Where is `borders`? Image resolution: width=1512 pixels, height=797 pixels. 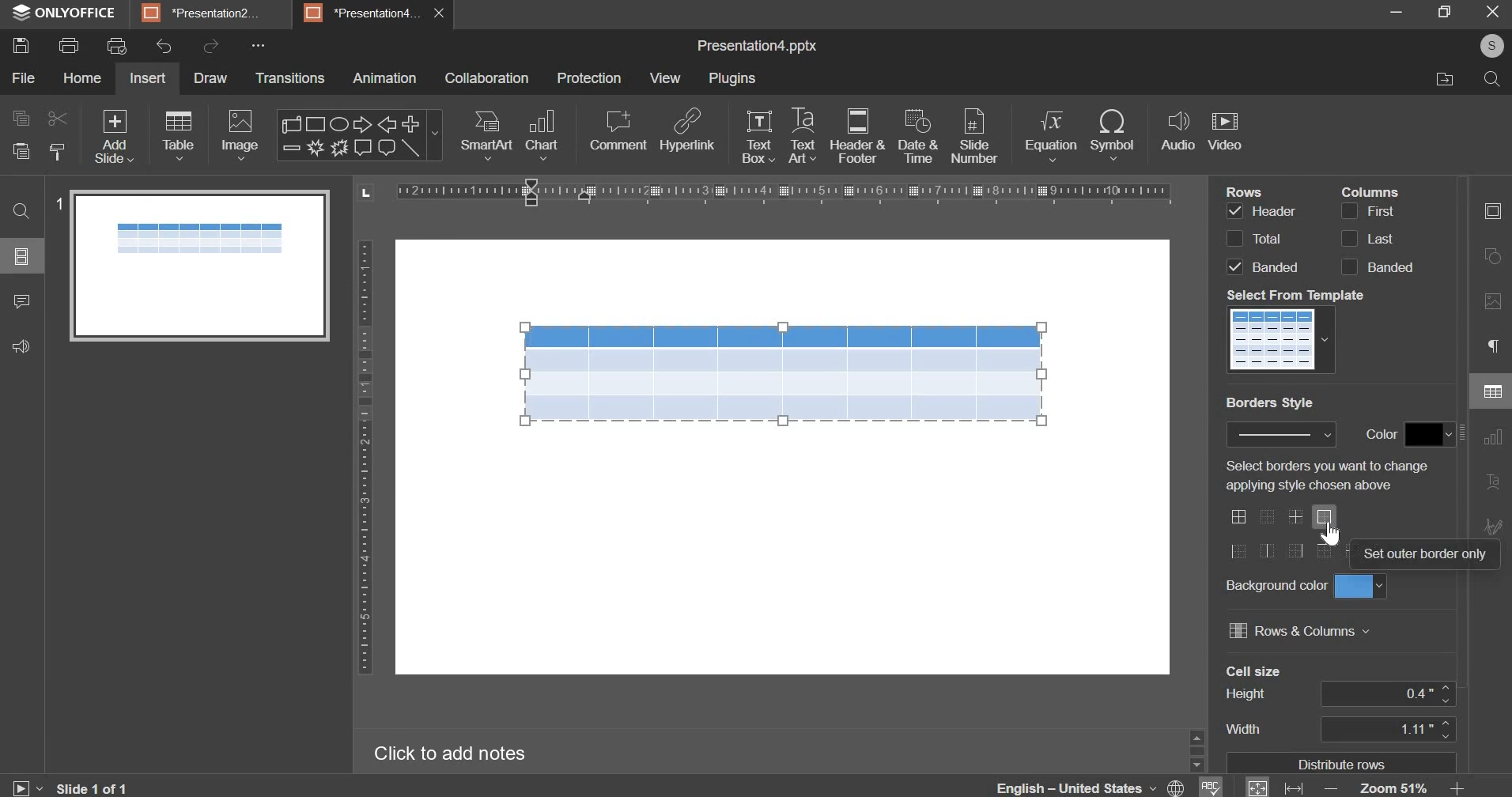
borders is located at coordinates (1283, 553).